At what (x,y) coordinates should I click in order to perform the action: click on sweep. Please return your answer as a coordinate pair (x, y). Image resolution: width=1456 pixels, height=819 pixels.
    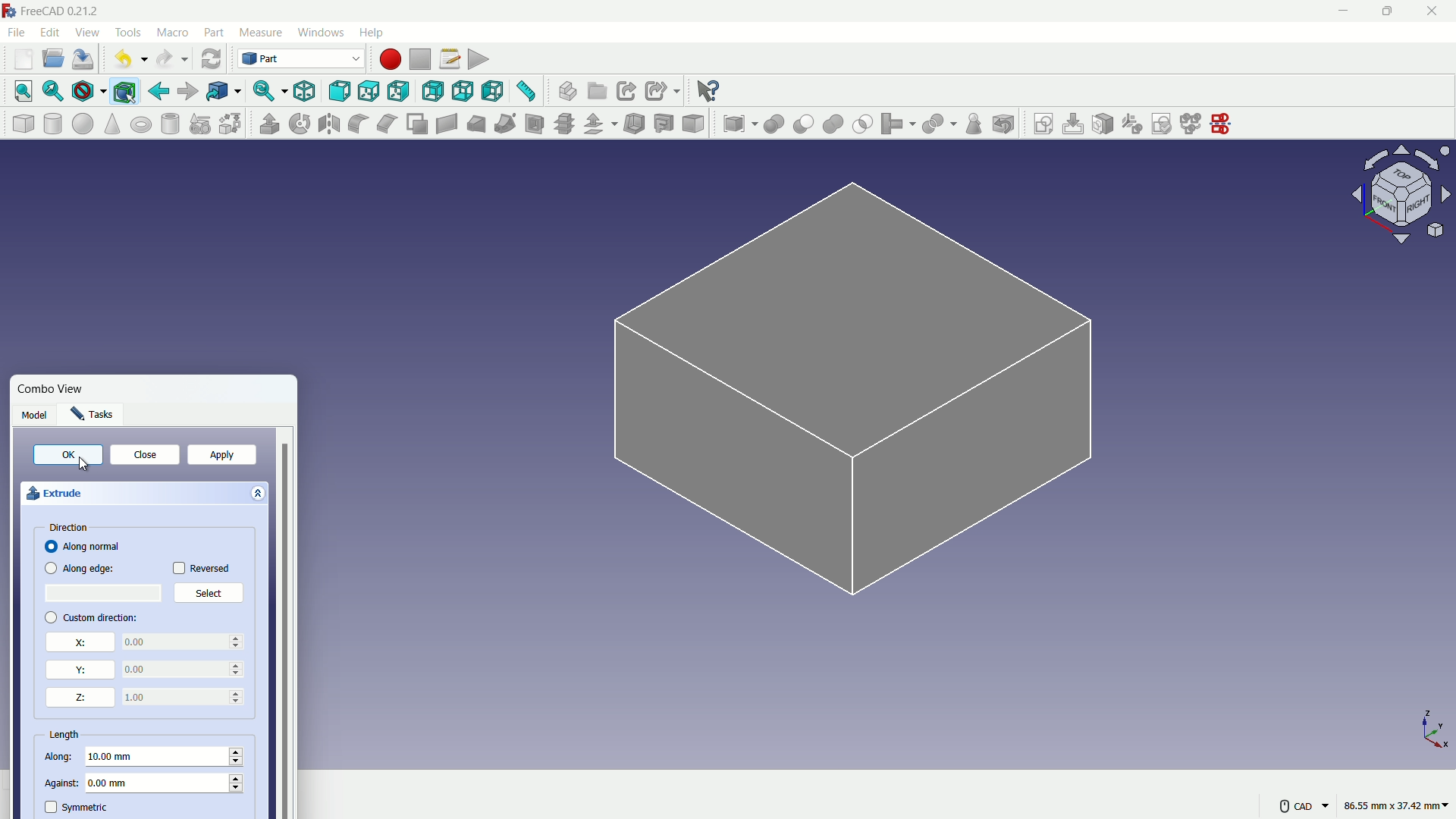
    Looking at the image, I should click on (505, 125).